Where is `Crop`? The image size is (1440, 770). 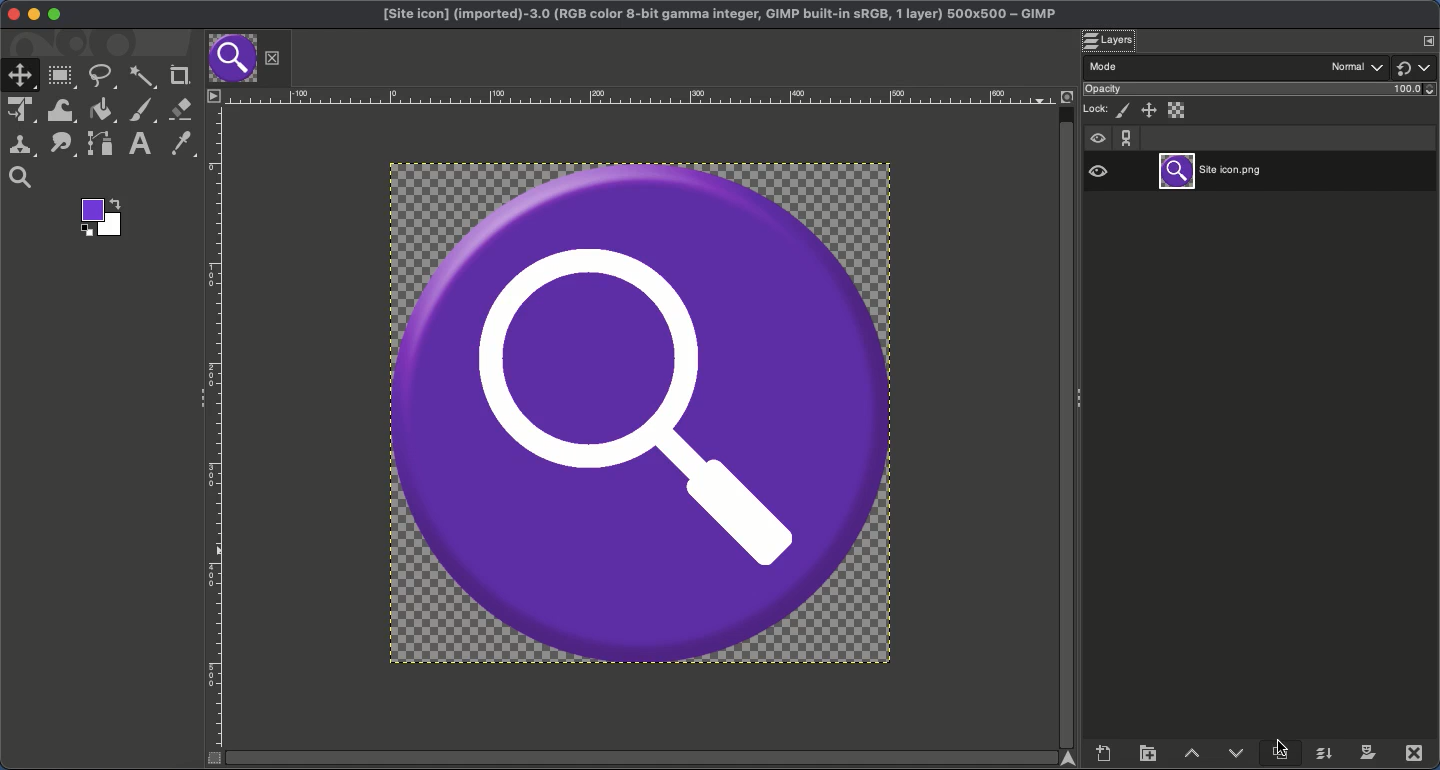
Crop is located at coordinates (179, 74).